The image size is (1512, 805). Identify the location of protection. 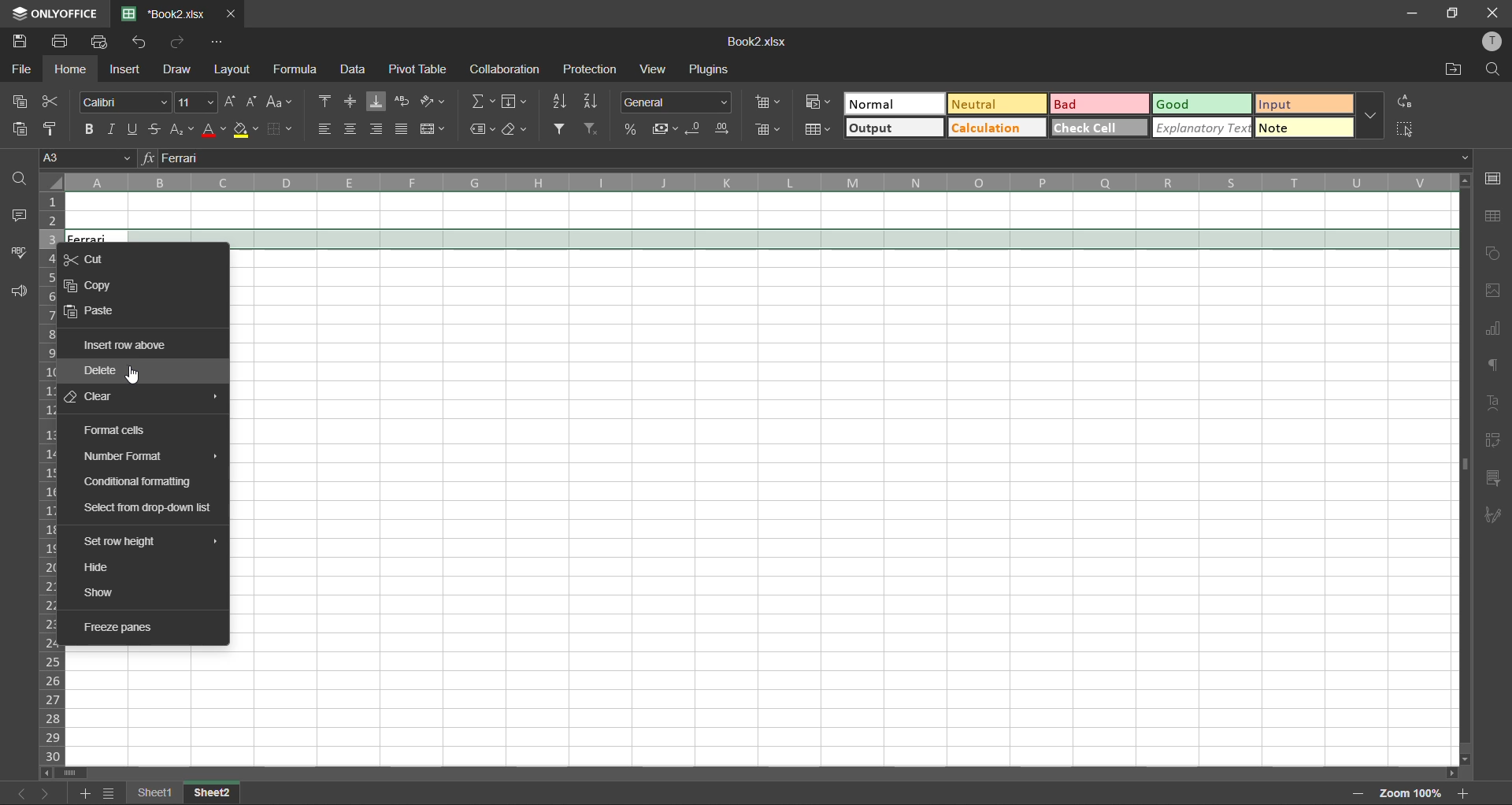
(592, 69).